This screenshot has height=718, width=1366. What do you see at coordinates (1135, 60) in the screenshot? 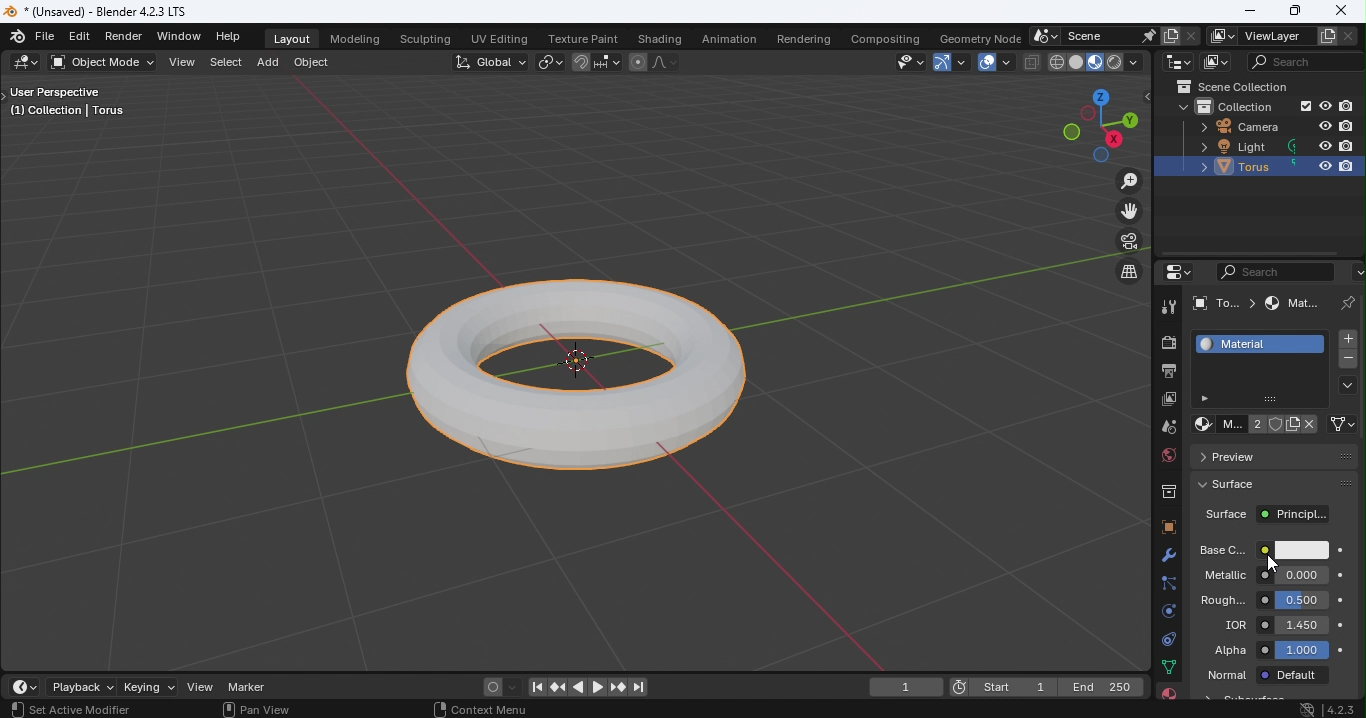
I see `Shading` at bounding box center [1135, 60].